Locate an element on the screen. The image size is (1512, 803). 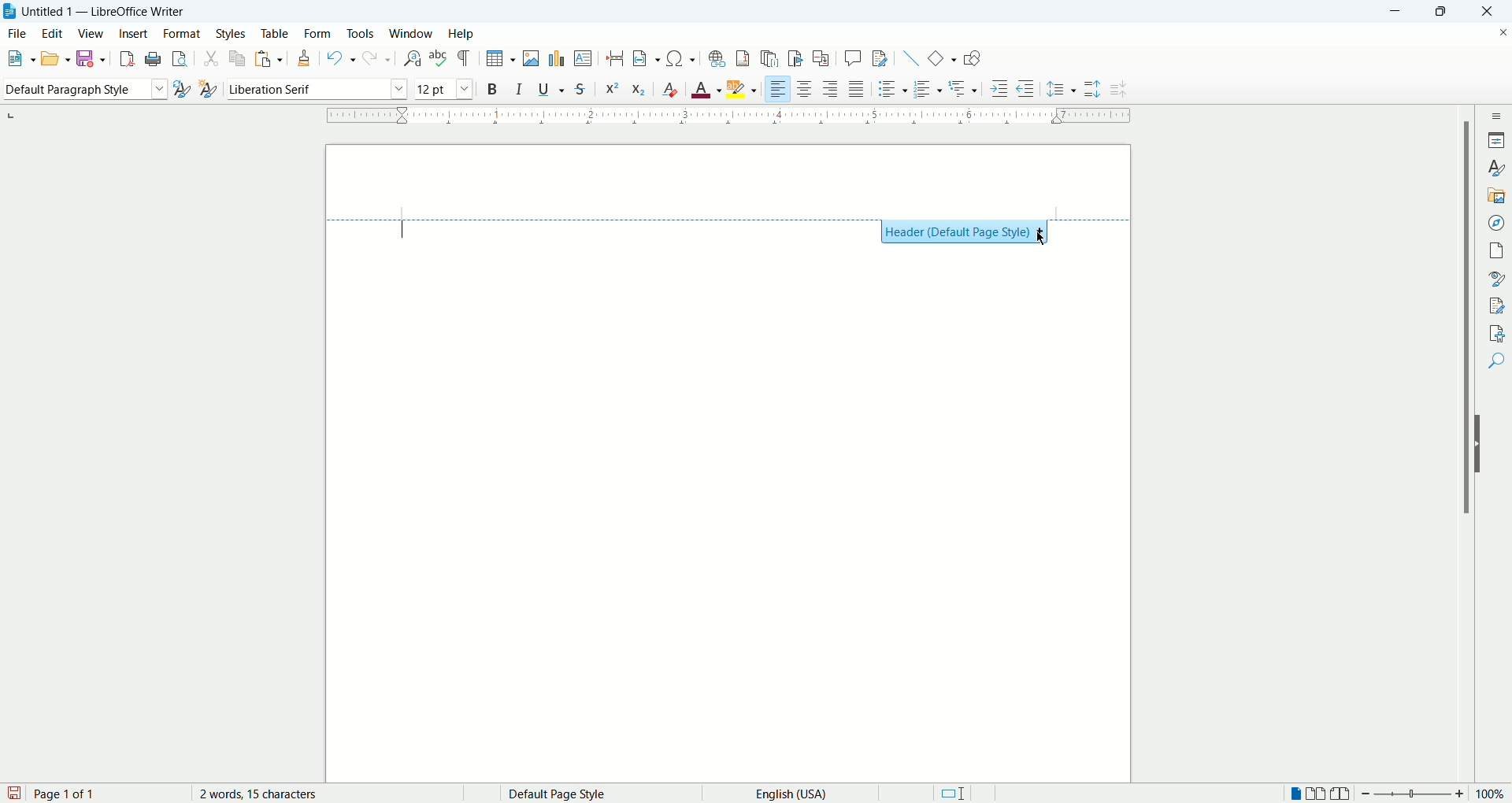
outline is located at coordinates (962, 89).